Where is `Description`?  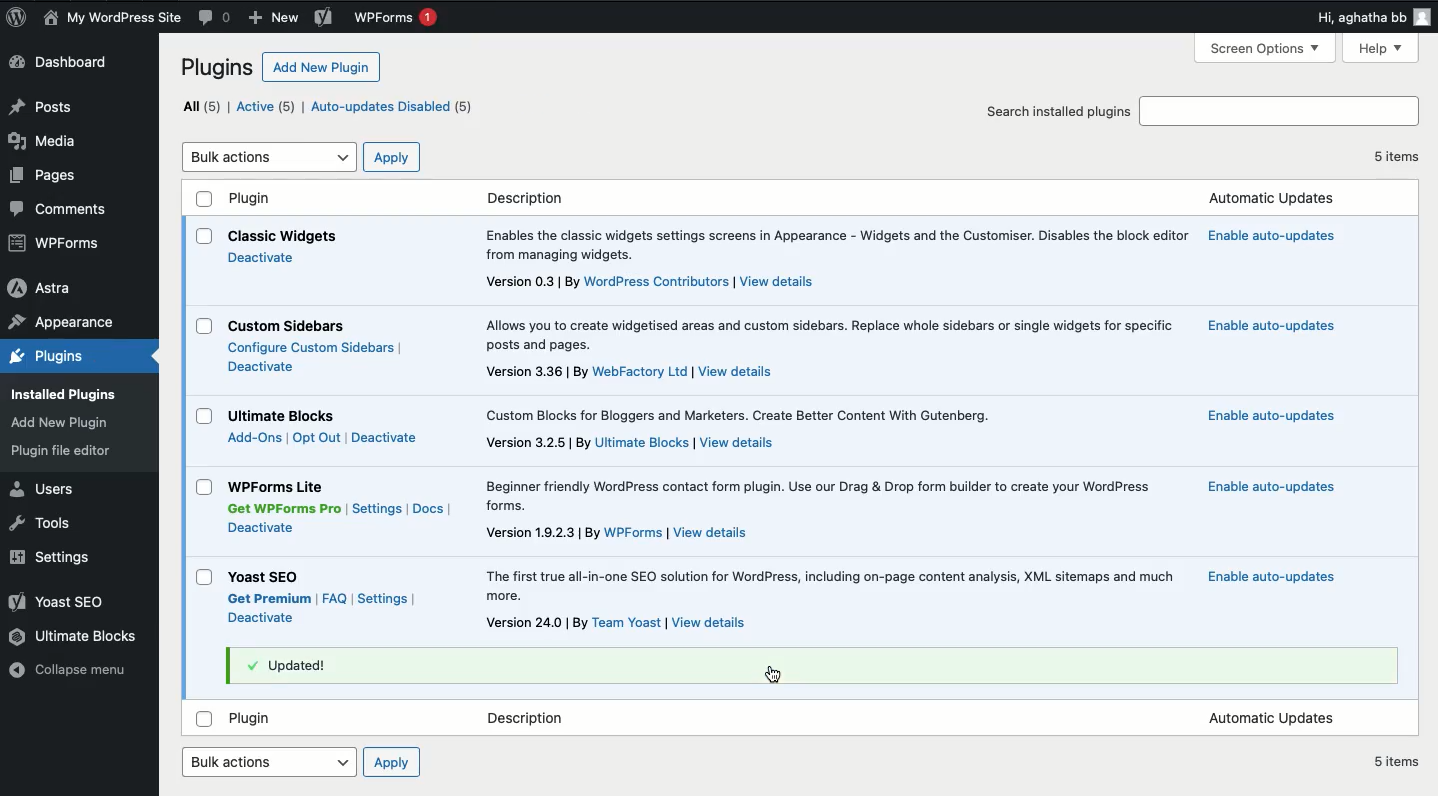 Description is located at coordinates (835, 246).